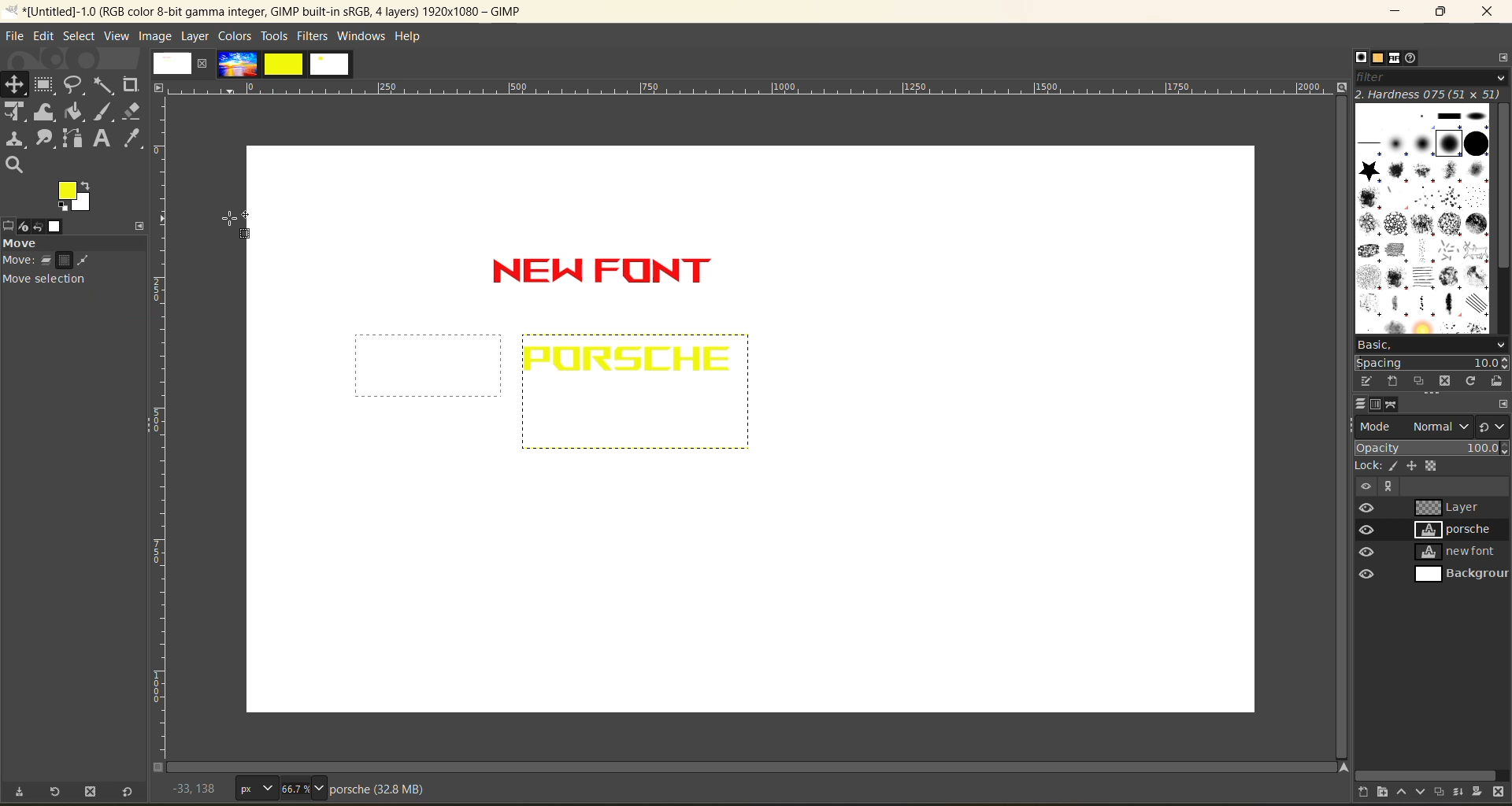 This screenshot has width=1512, height=806. Describe the element at coordinates (1503, 186) in the screenshot. I see `vertical scroll bar` at that location.